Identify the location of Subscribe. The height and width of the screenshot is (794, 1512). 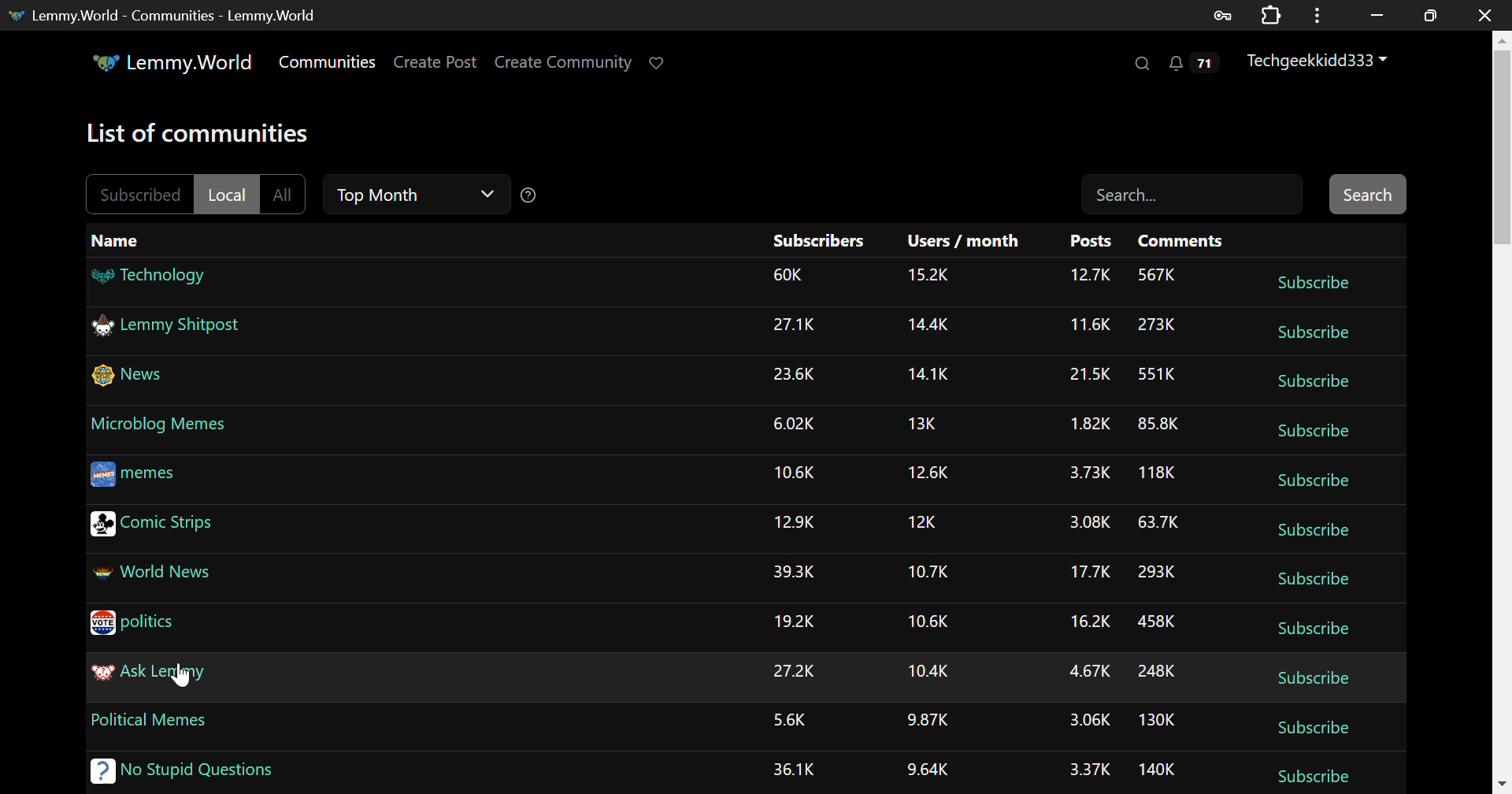
(1314, 333).